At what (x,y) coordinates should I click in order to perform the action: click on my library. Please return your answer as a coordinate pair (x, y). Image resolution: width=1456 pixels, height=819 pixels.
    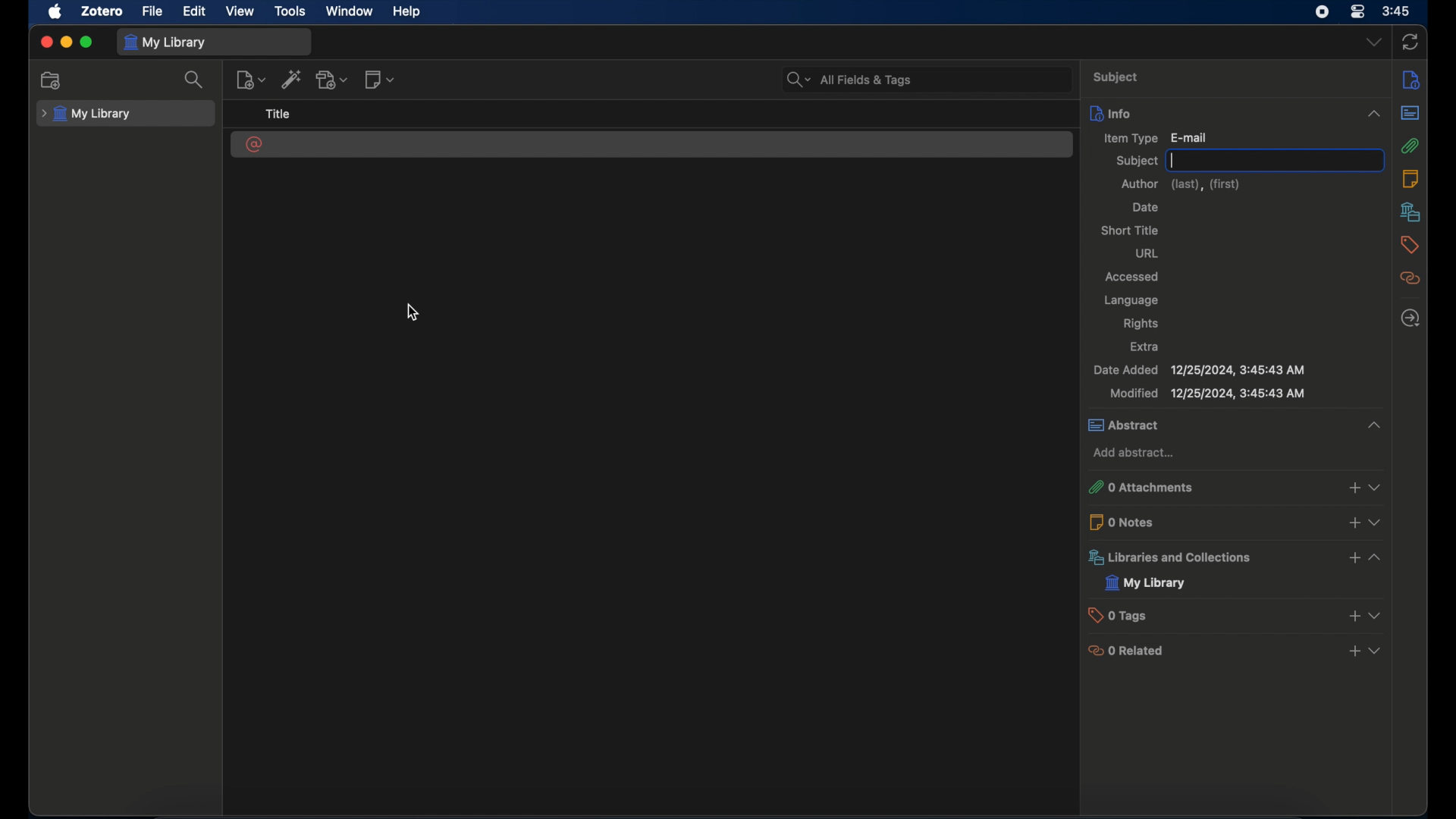
    Looking at the image, I should click on (86, 114).